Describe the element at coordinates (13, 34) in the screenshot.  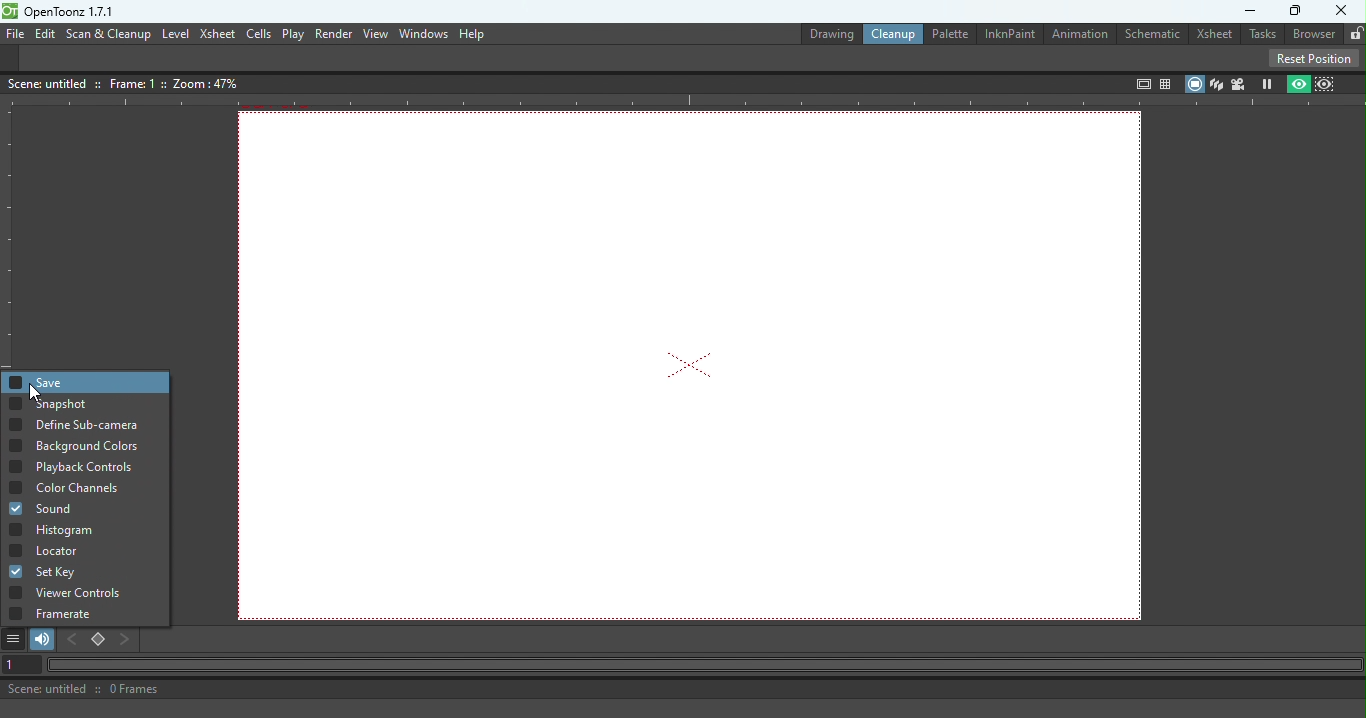
I see `File` at that location.